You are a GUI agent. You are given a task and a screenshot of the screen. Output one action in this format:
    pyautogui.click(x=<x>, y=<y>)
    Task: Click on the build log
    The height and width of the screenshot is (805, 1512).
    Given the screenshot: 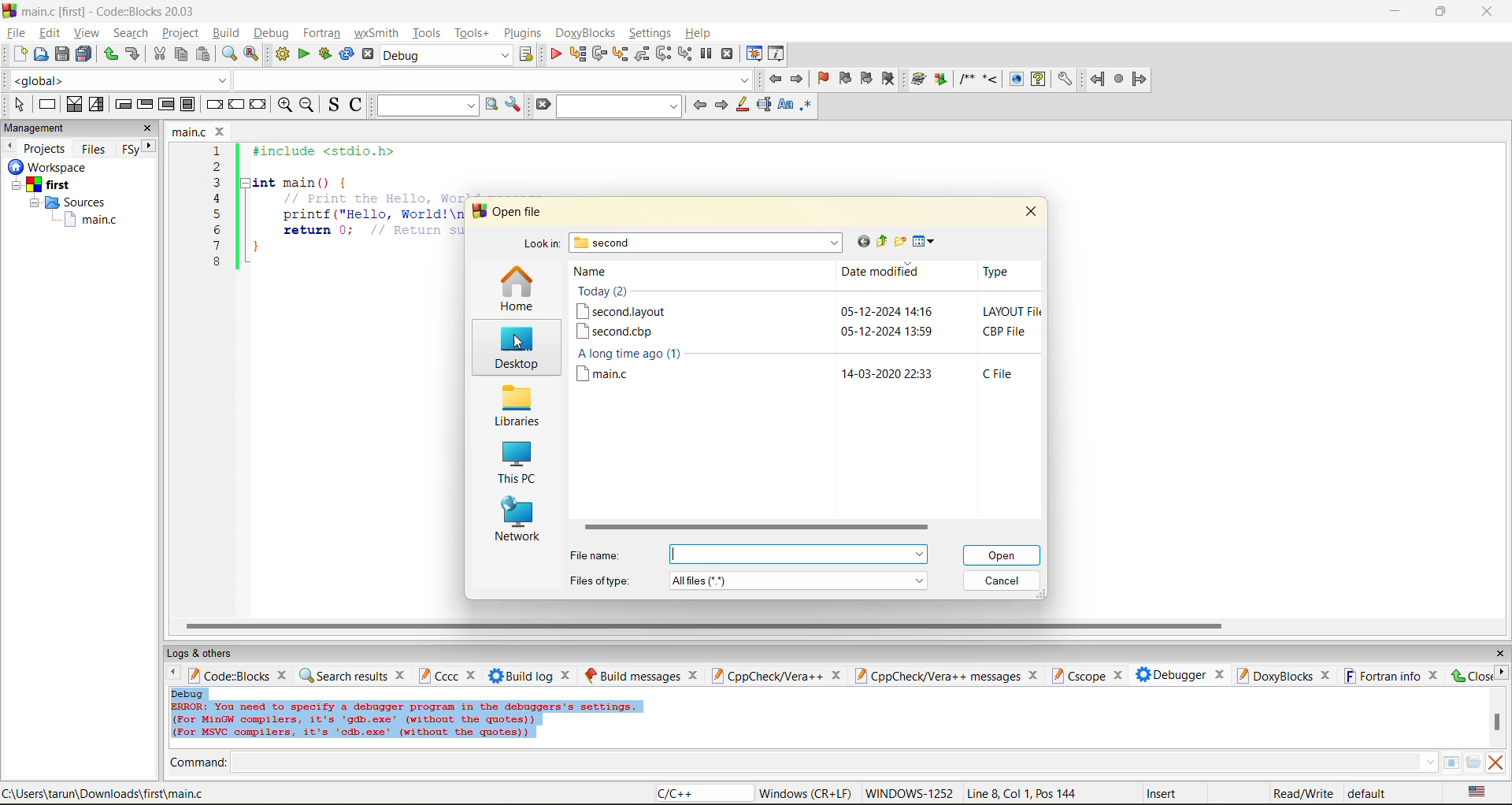 What is the action you would take?
    pyautogui.click(x=521, y=676)
    